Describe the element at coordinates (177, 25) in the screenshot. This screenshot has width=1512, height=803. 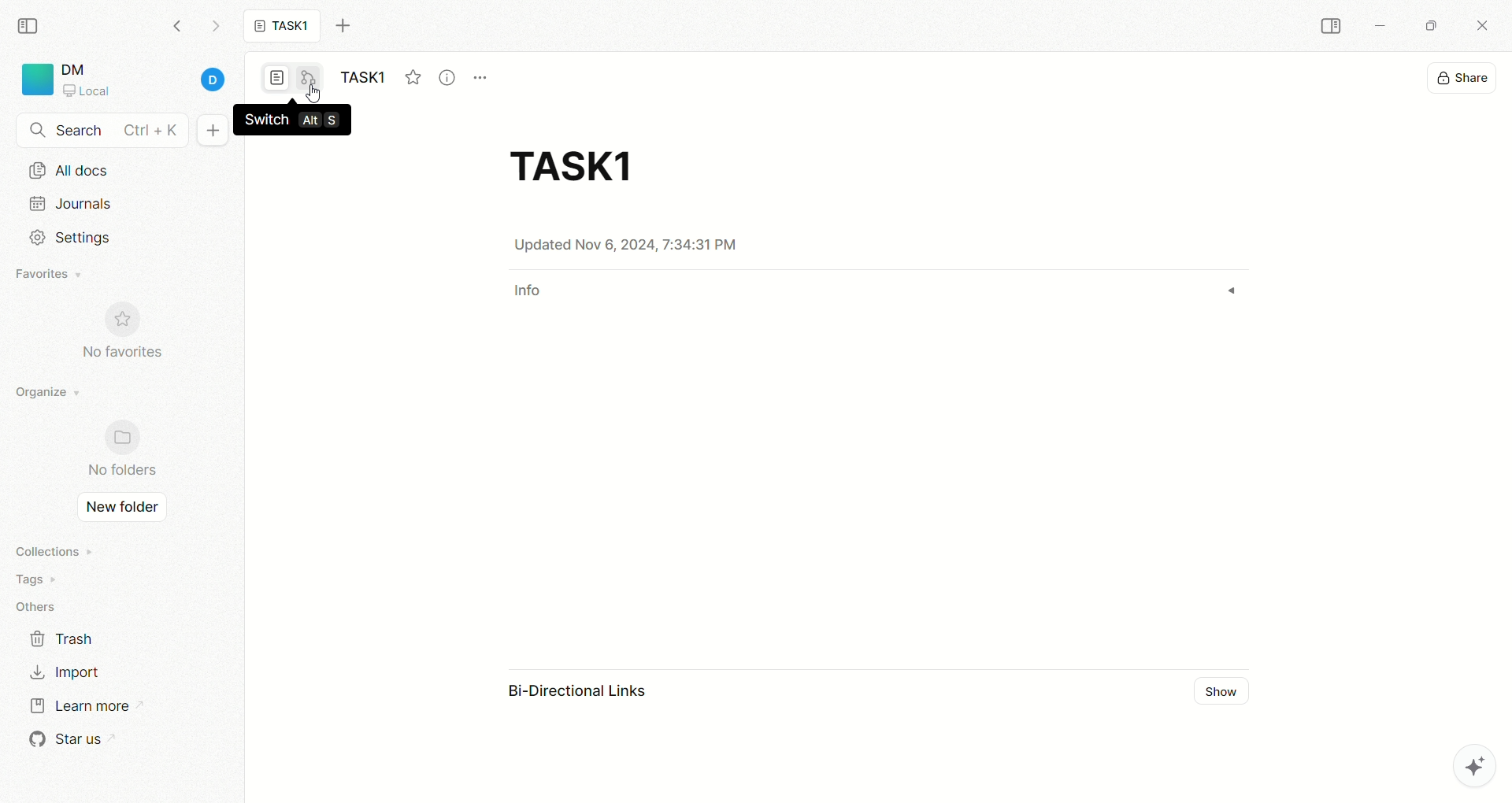
I see `go backward` at that location.